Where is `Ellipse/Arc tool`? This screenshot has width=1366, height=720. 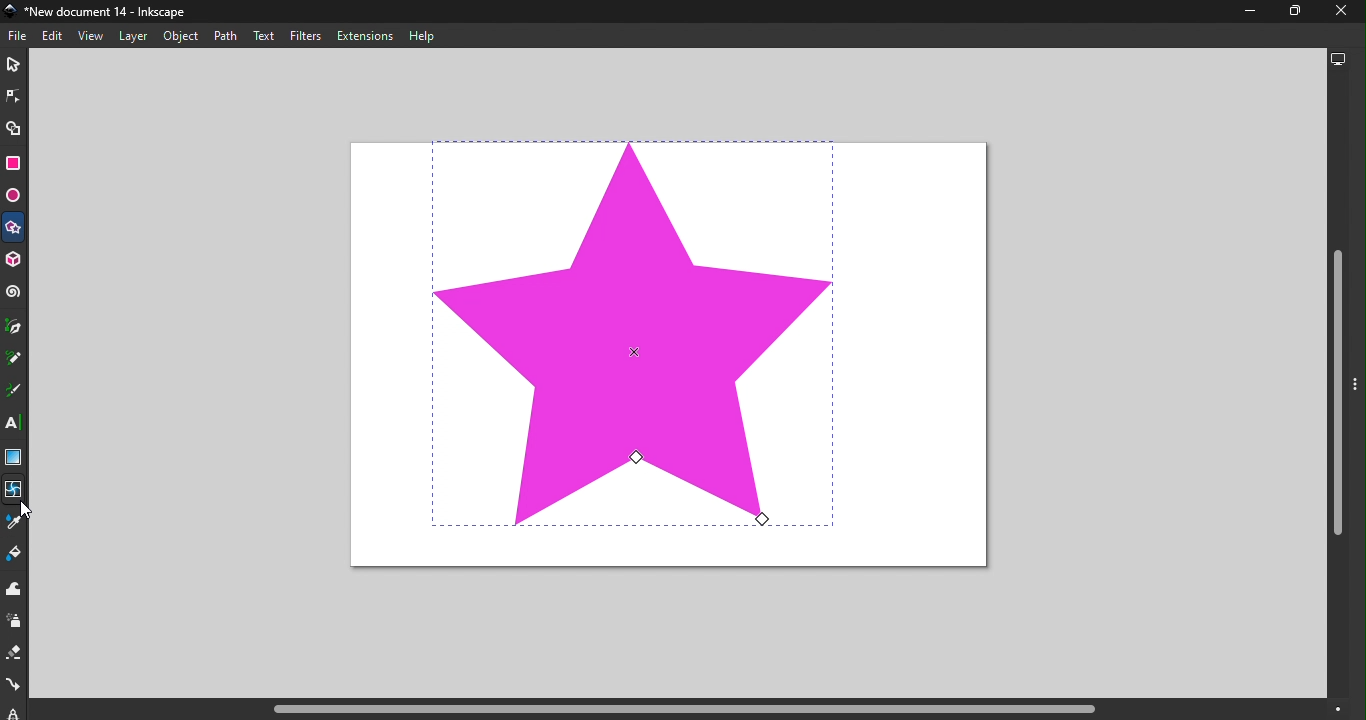
Ellipse/Arc tool is located at coordinates (15, 196).